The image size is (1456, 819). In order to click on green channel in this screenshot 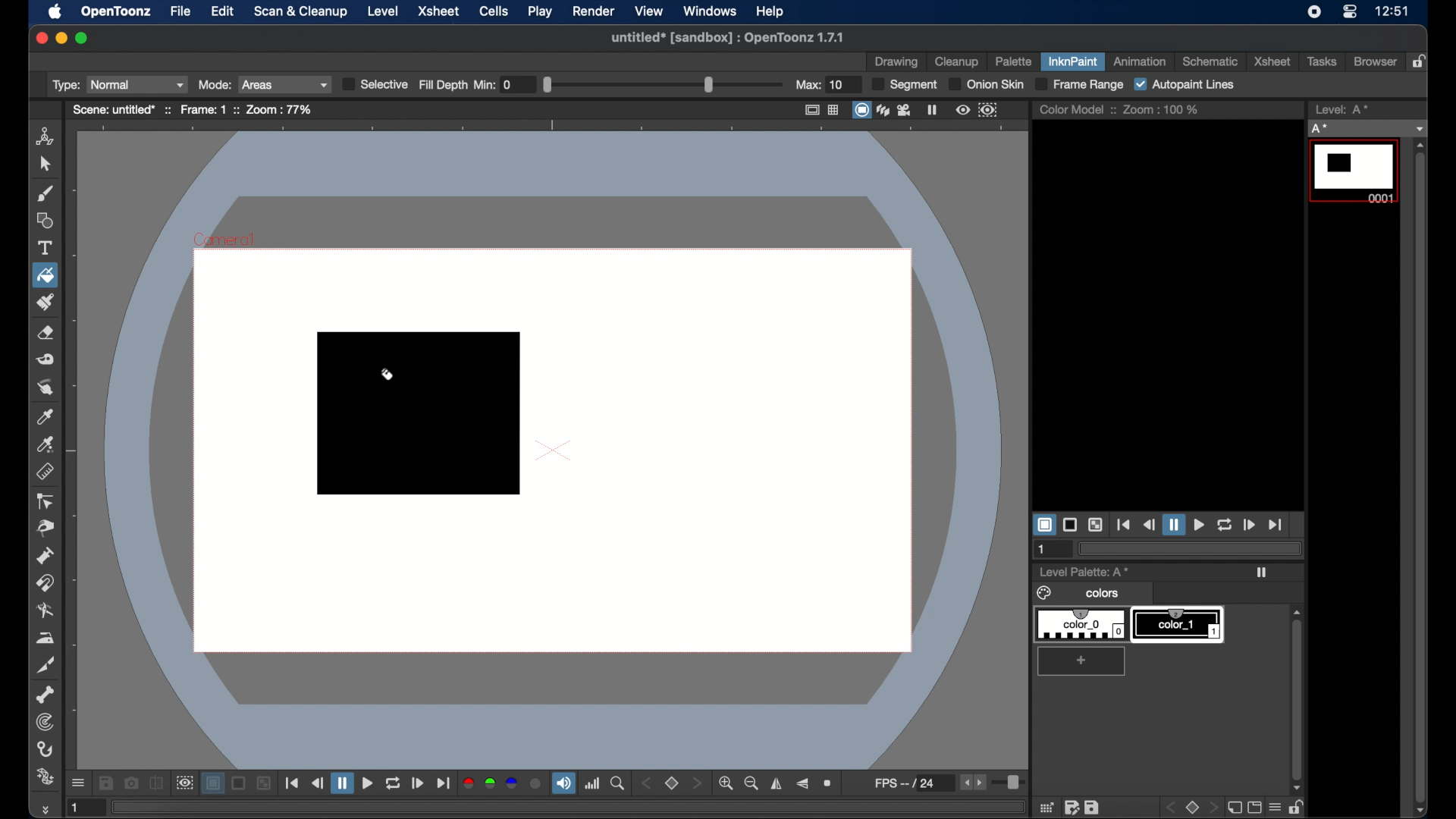, I will do `click(491, 783)`.